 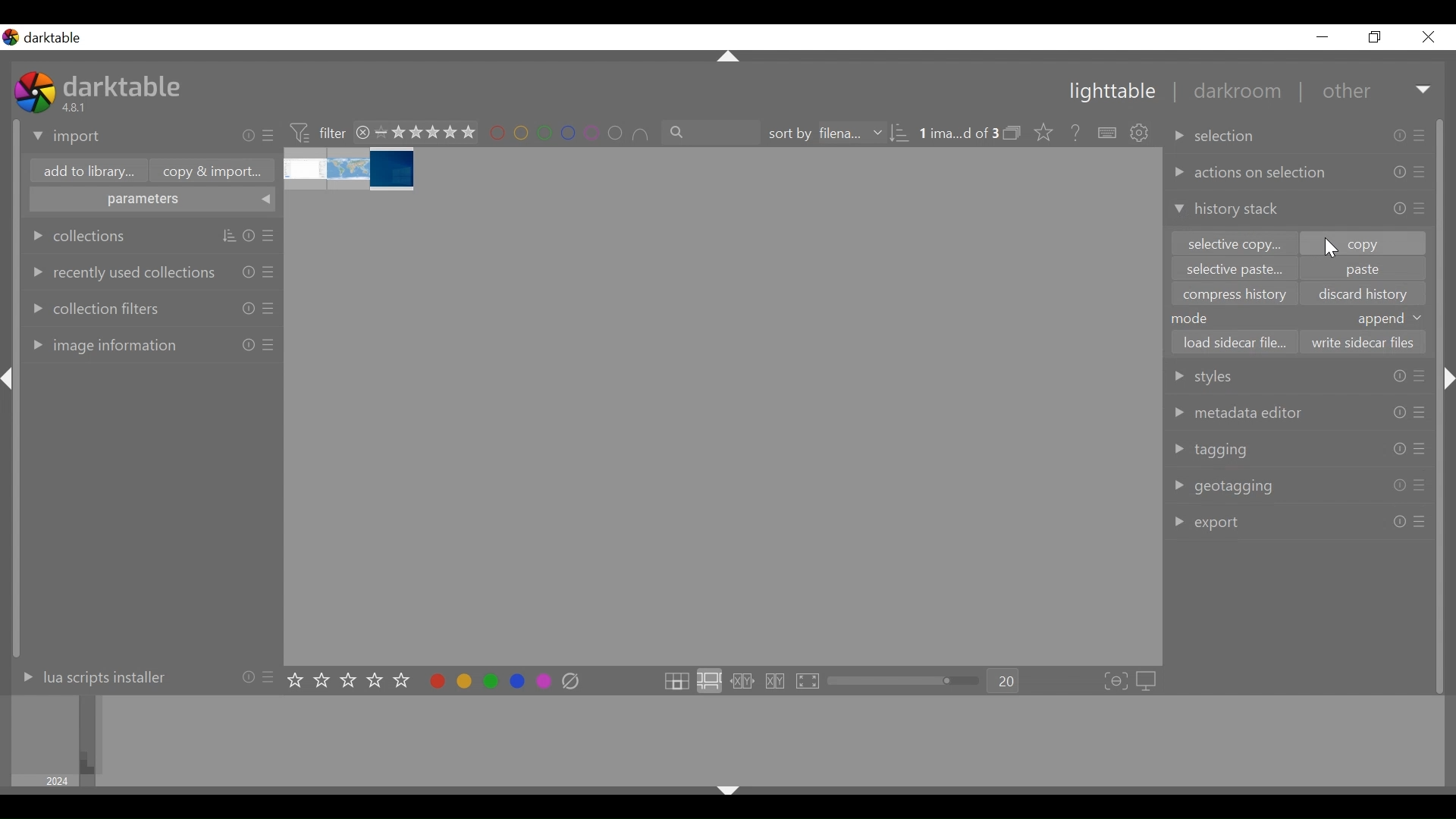 What do you see at coordinates (1004, 682) in the screenshot?
I see `20` at bounding box center [1004, 682].